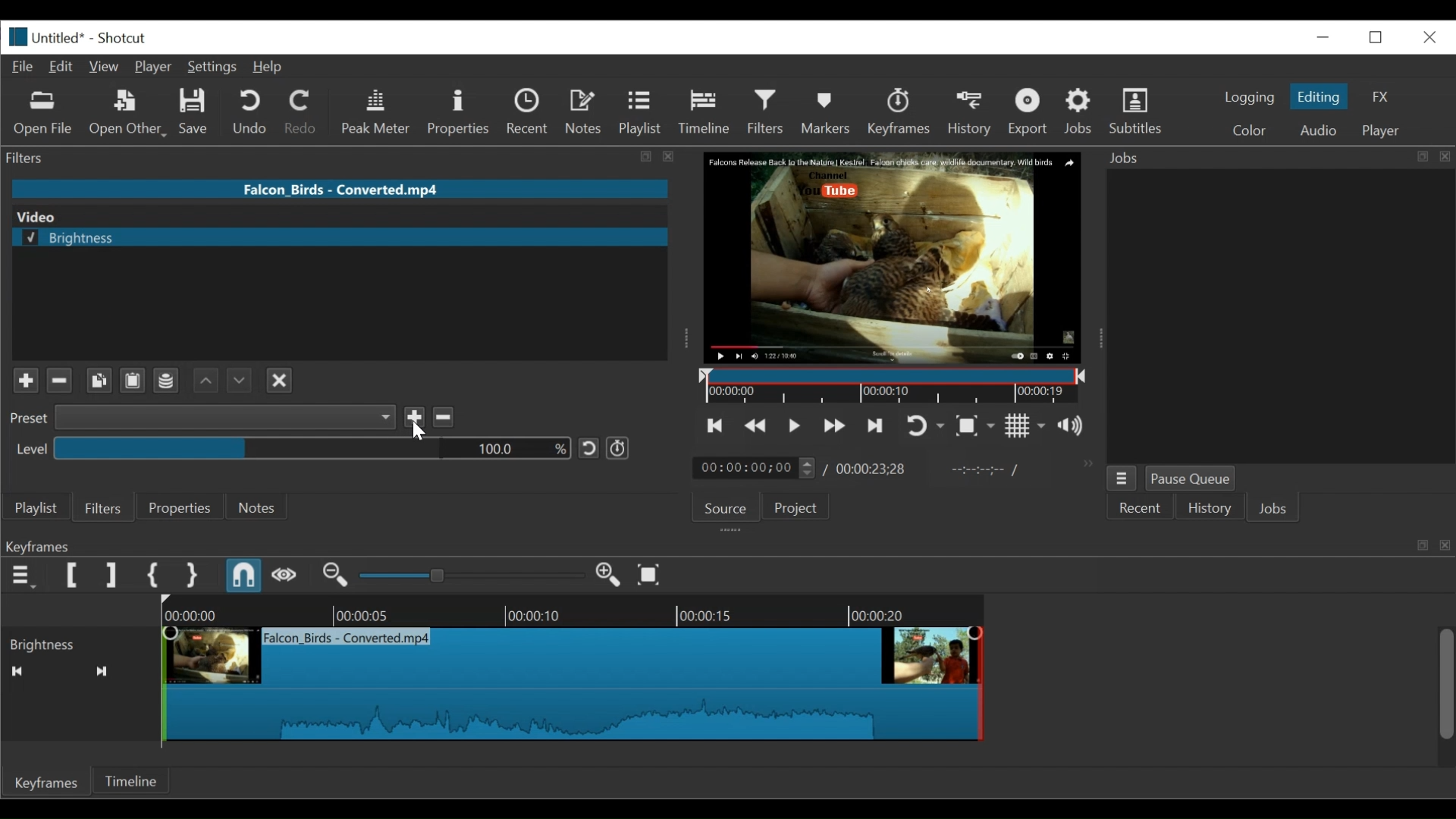 This screenshot has height=819, width=1456. I want to click on History, so click(1209, 507).